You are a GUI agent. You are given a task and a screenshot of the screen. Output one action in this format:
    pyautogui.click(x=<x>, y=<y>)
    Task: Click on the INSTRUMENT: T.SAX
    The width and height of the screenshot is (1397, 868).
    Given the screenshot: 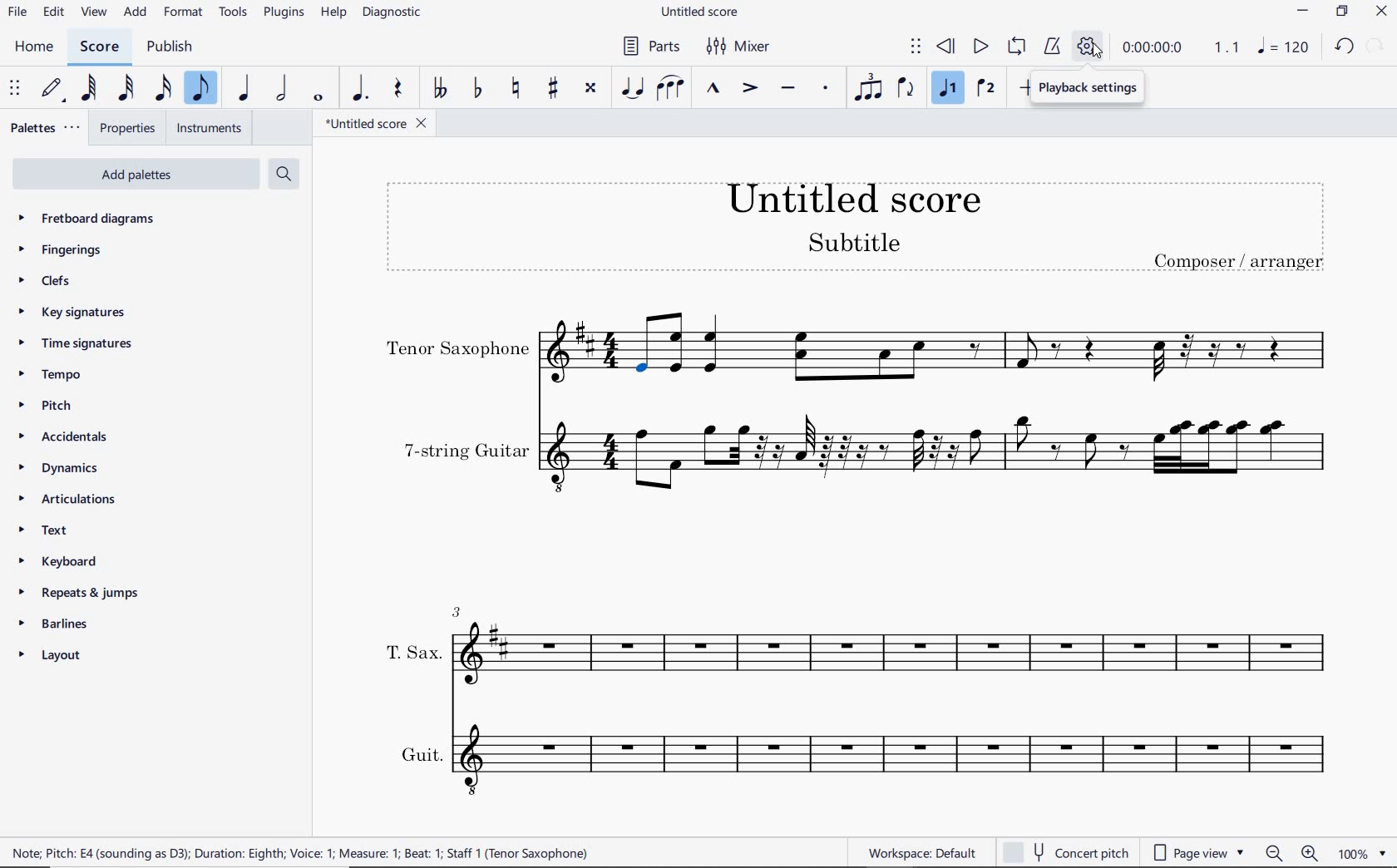 What is the action you would take?
    pyautogui.click(x=855, y=639)
    